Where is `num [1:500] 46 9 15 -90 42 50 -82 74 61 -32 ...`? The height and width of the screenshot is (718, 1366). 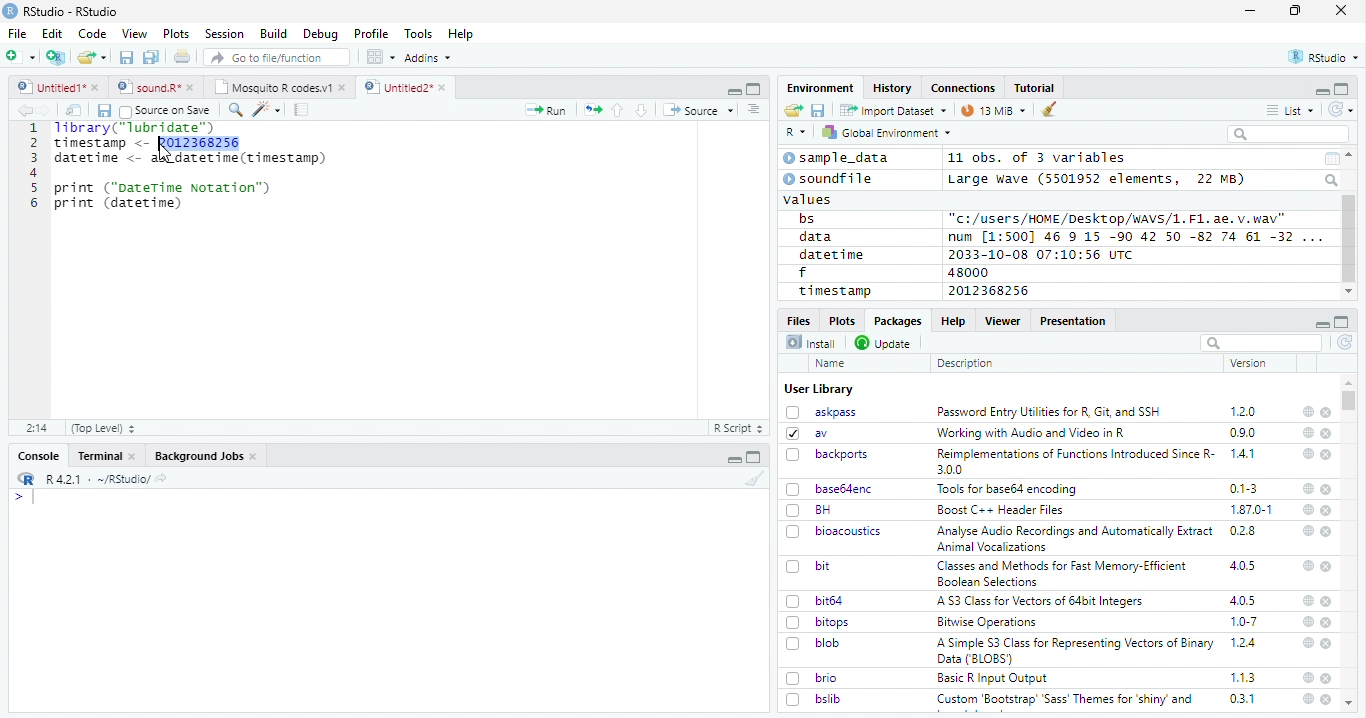 num [1:500] 46 9 15 -90 42 50 -82 74 61 -32 ... is located at coordinates (1135, 236).